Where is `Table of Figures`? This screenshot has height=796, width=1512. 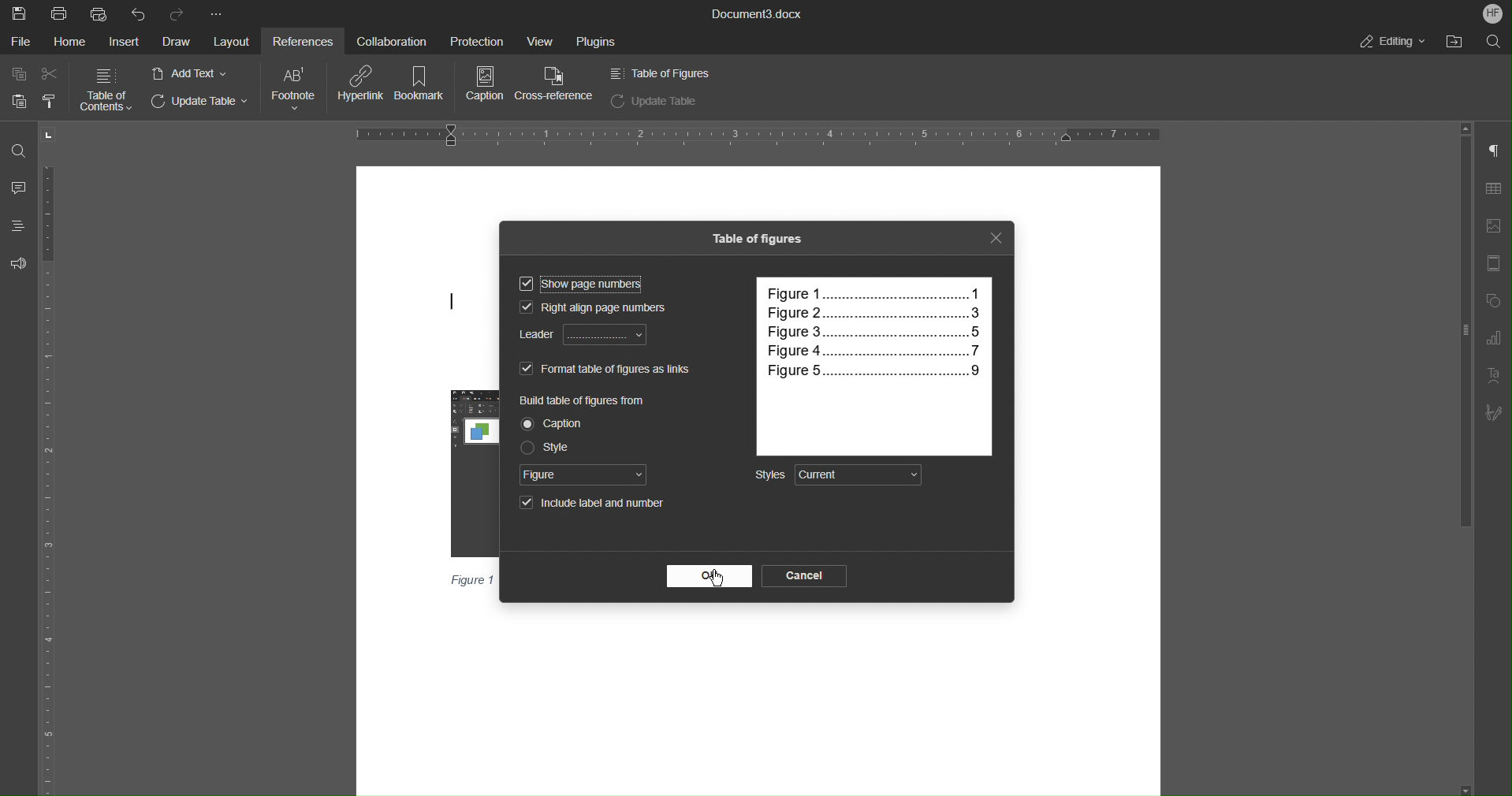 Table of Figures is located at coordinates (659, 73).